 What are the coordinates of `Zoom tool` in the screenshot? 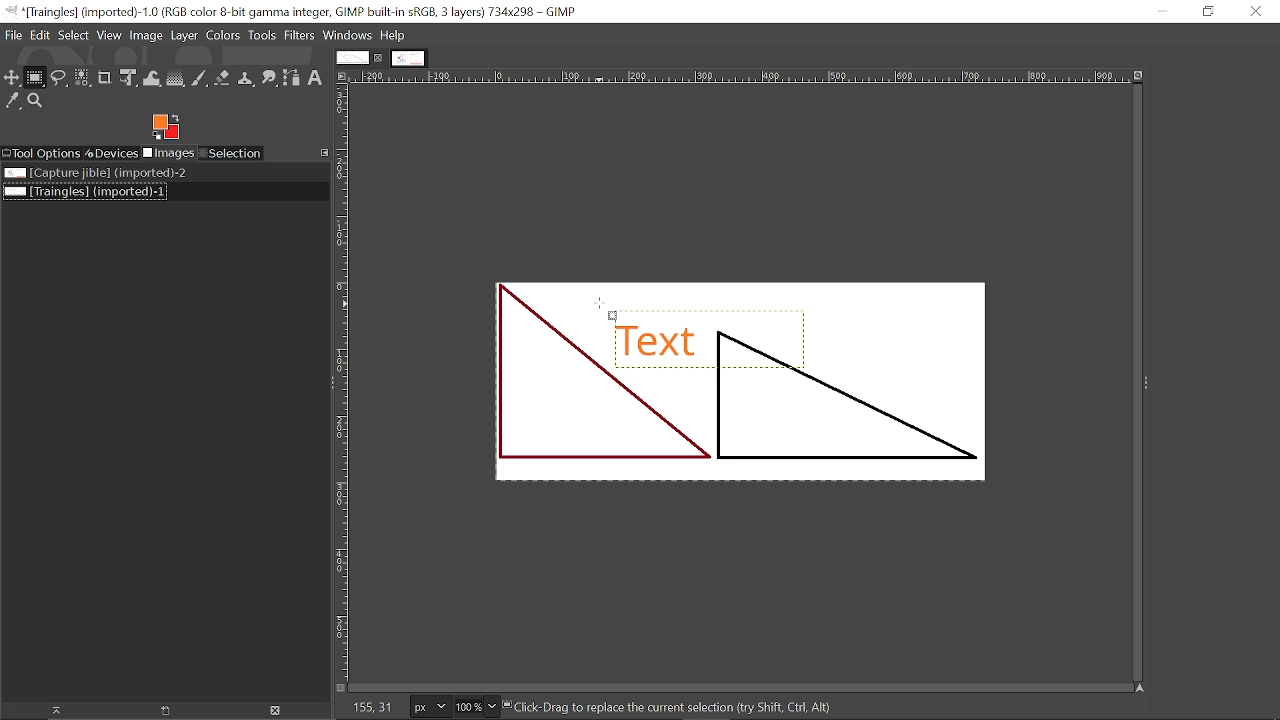 It's located at (37, 100).